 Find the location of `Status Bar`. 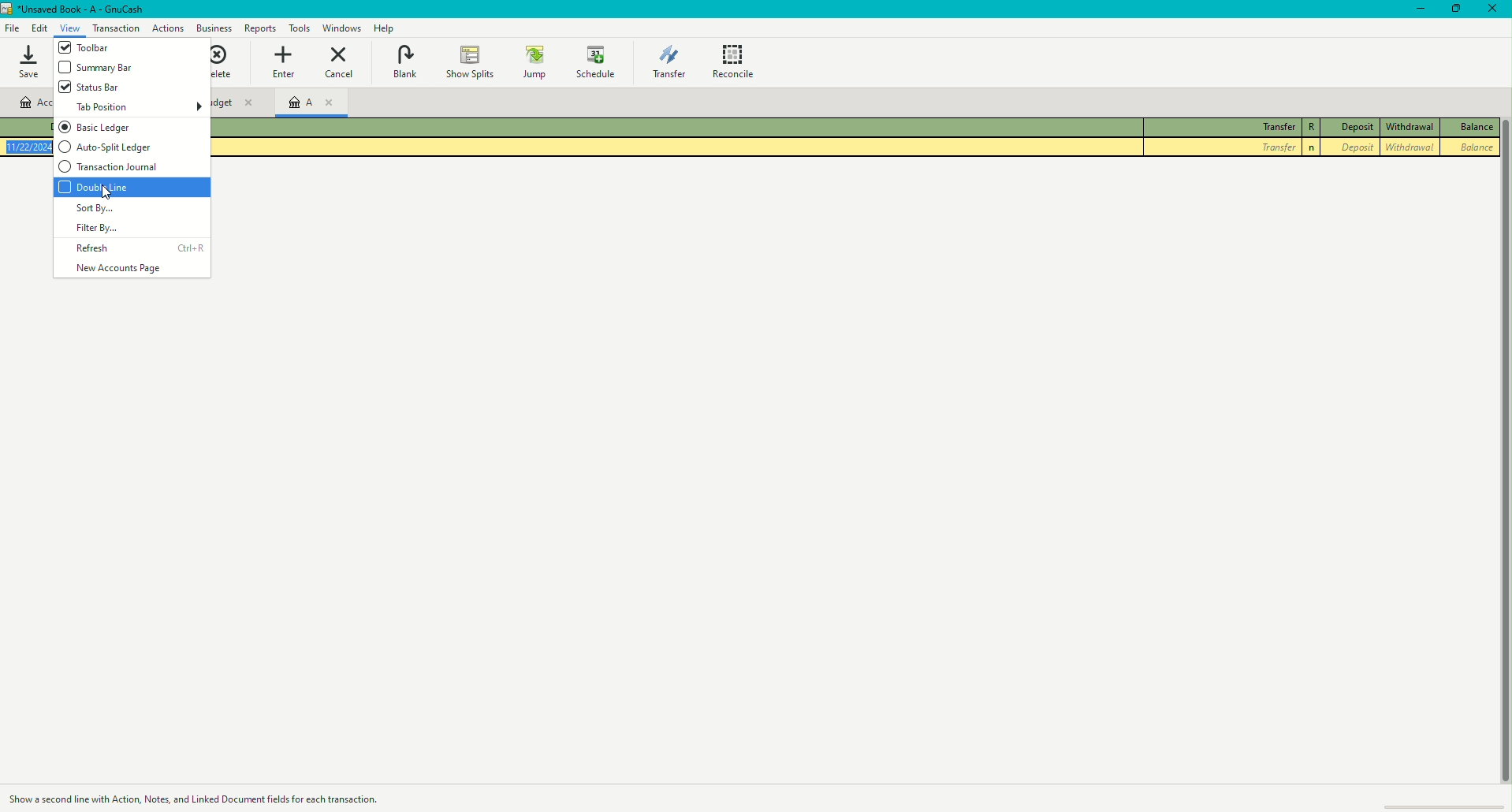

Status Bar is located at coordinates (136, 88).